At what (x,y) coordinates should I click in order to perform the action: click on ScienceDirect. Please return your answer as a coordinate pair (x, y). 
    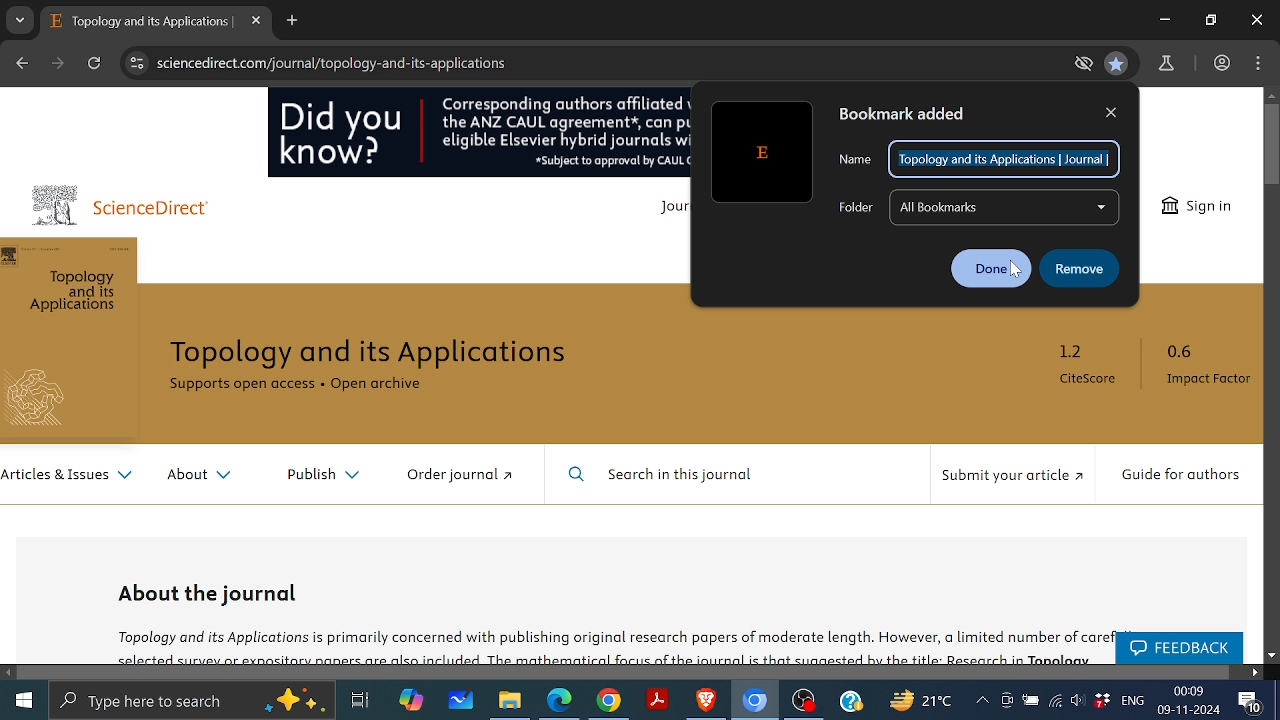
    Looking at the image, I should click on (163, 210).